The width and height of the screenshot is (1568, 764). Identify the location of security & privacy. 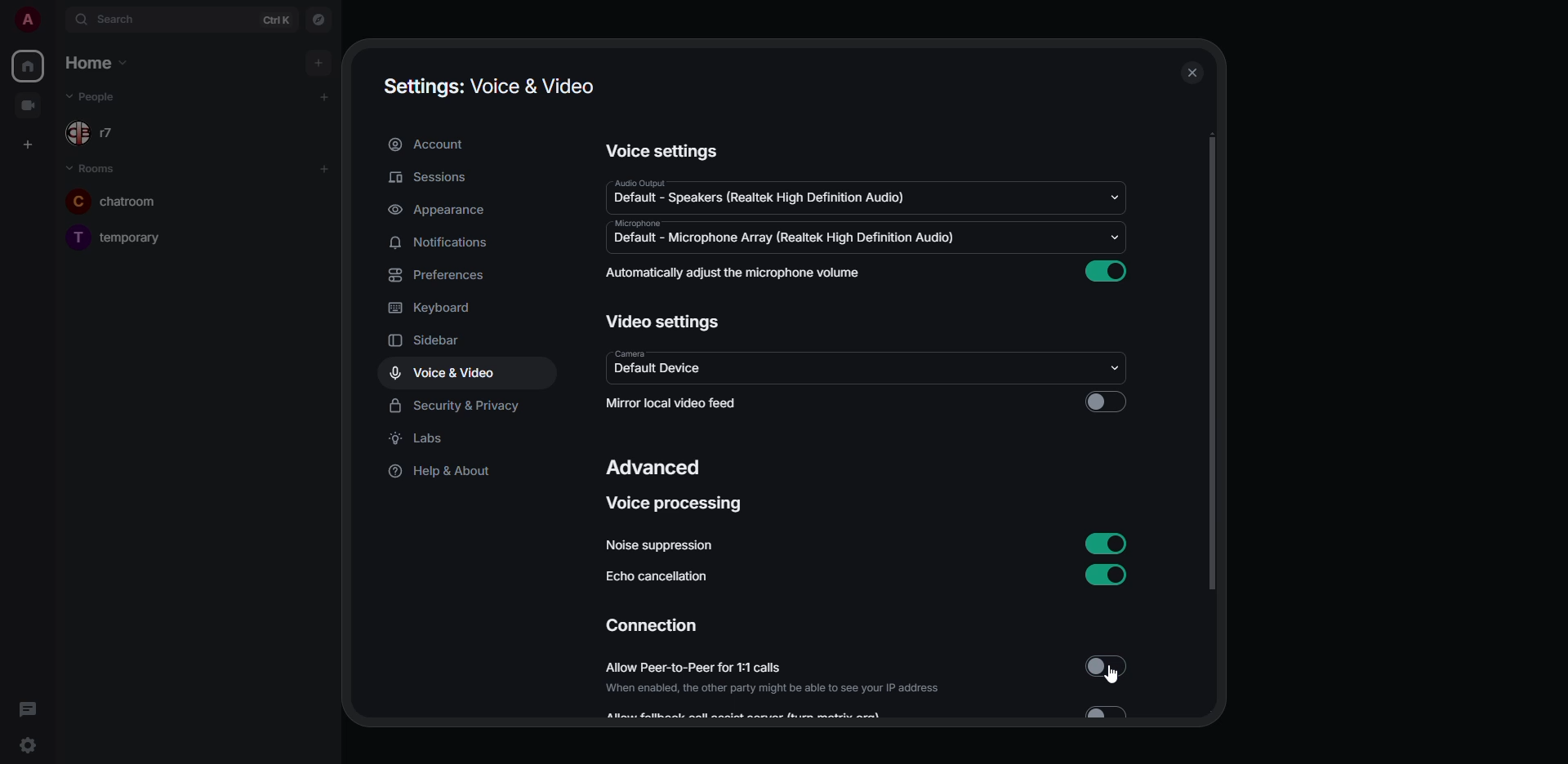
(458, 404).